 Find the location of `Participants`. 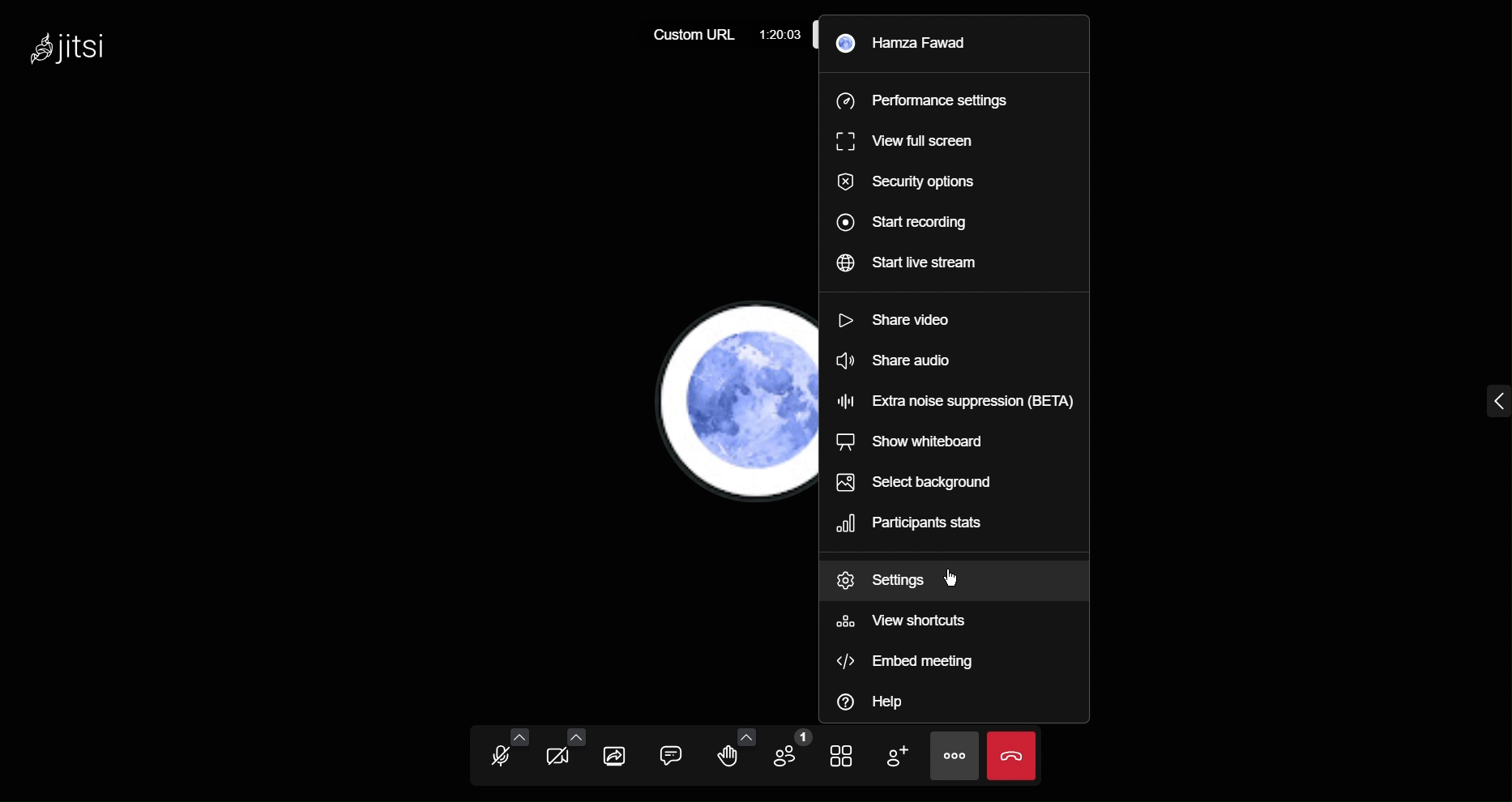

Participants is located at coordinates (792, 754).